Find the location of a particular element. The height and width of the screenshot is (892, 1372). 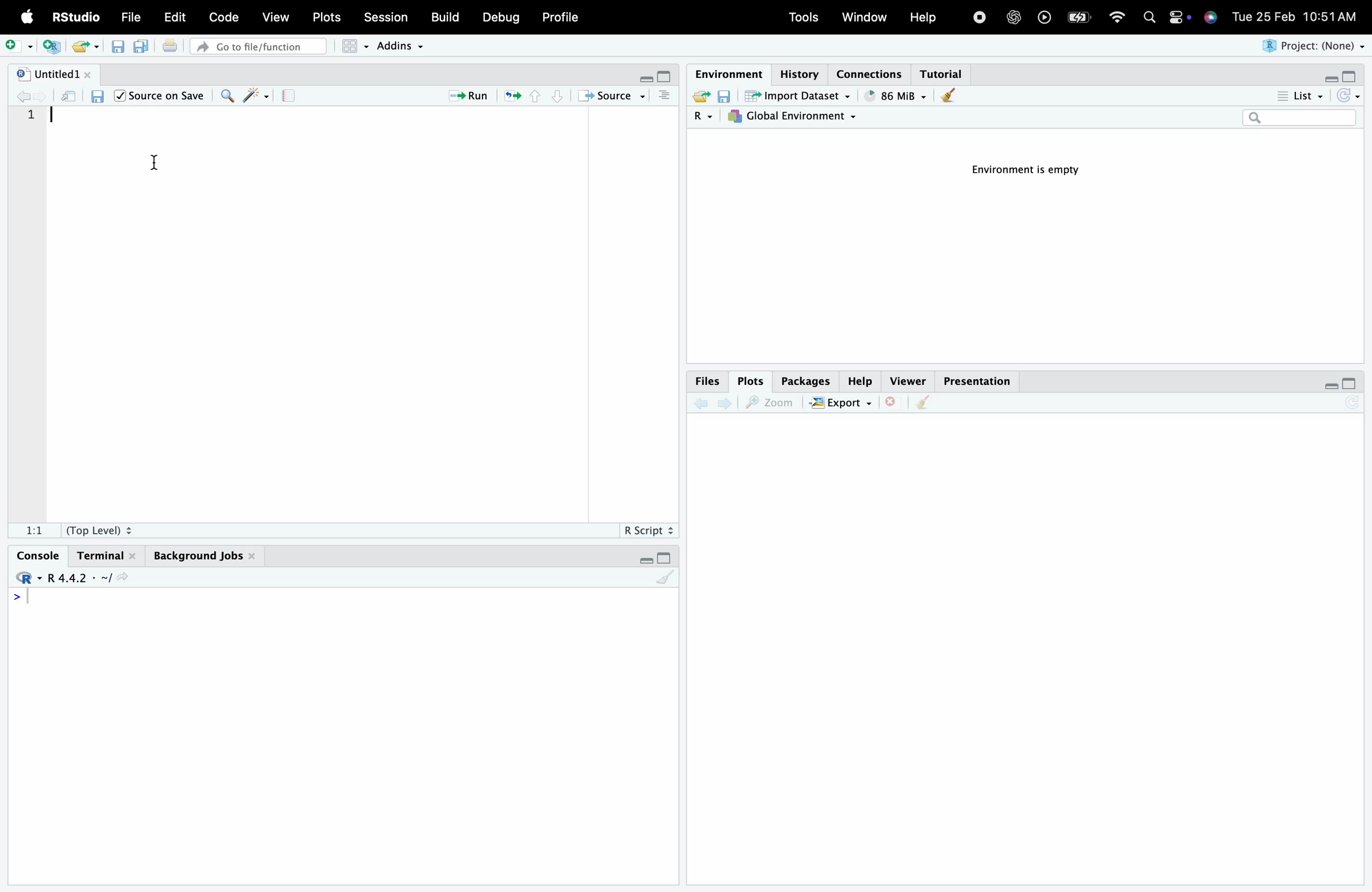

minimise is located at coordinates (1327, 79).